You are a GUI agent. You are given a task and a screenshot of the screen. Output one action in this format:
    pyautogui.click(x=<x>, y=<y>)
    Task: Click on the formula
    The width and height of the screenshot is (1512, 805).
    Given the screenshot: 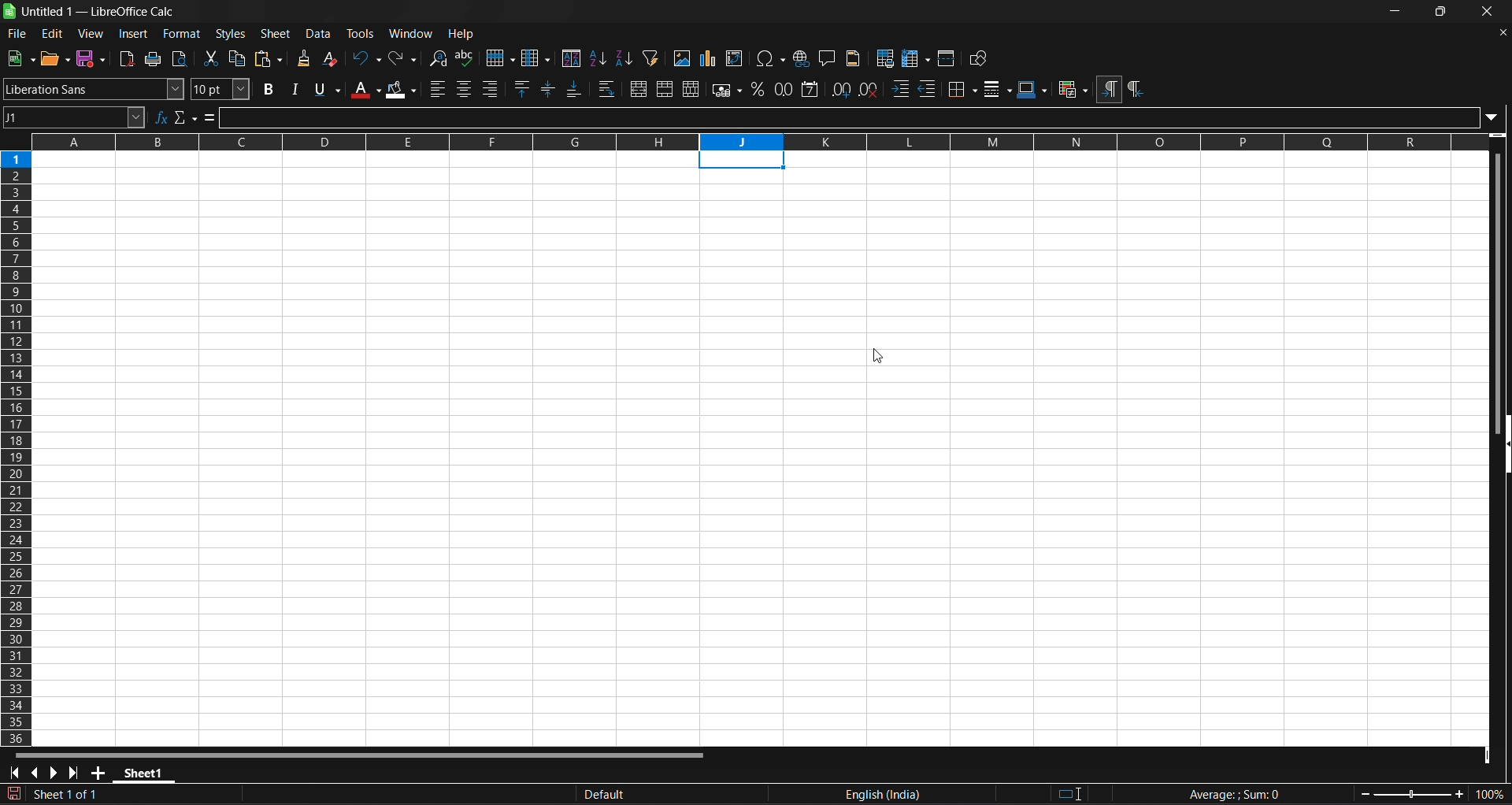 What is the action you would take?
    pyautogui.click(x=1230, y=794)
    